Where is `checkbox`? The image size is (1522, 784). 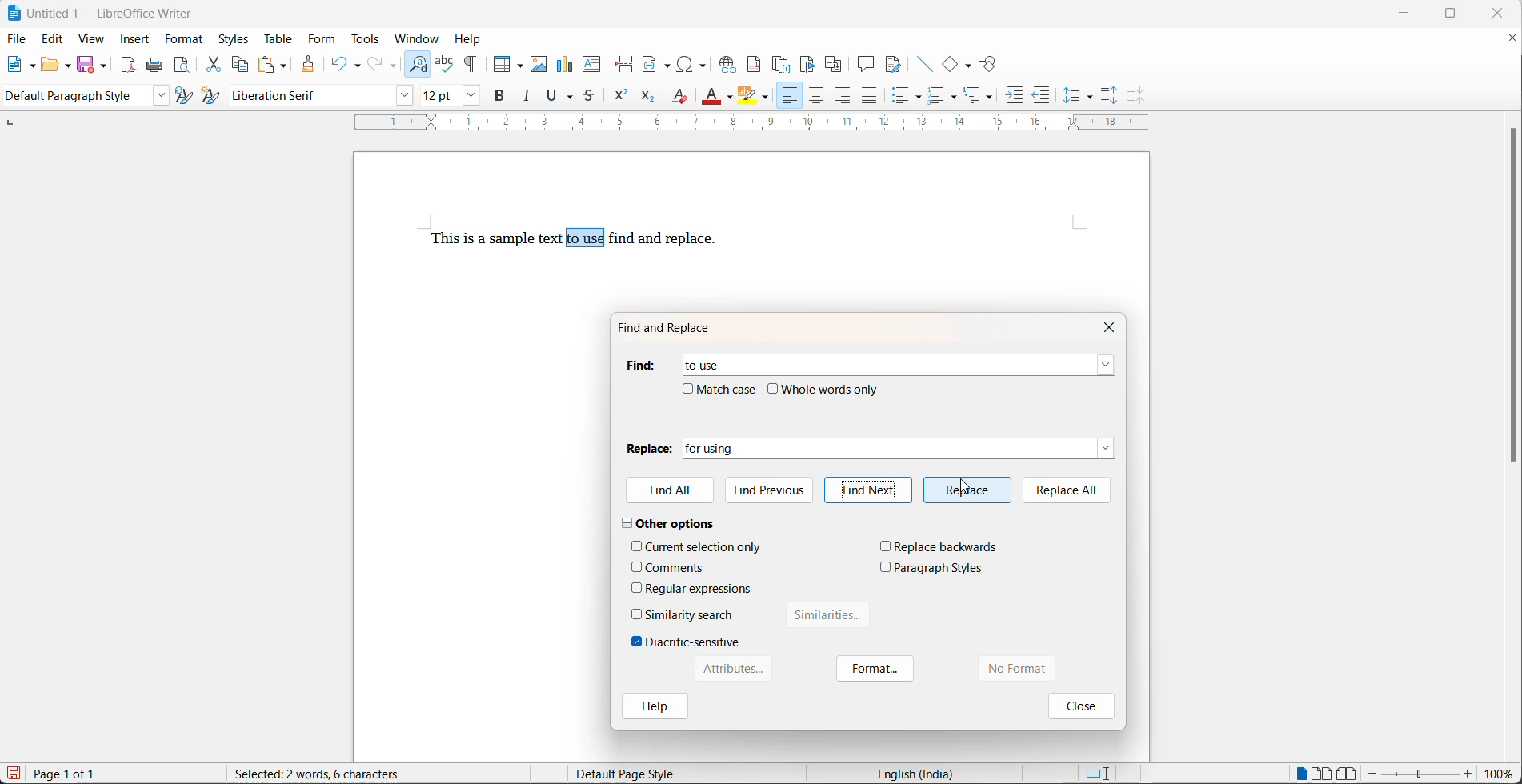 checkbox is located at coordinates (774, 389).